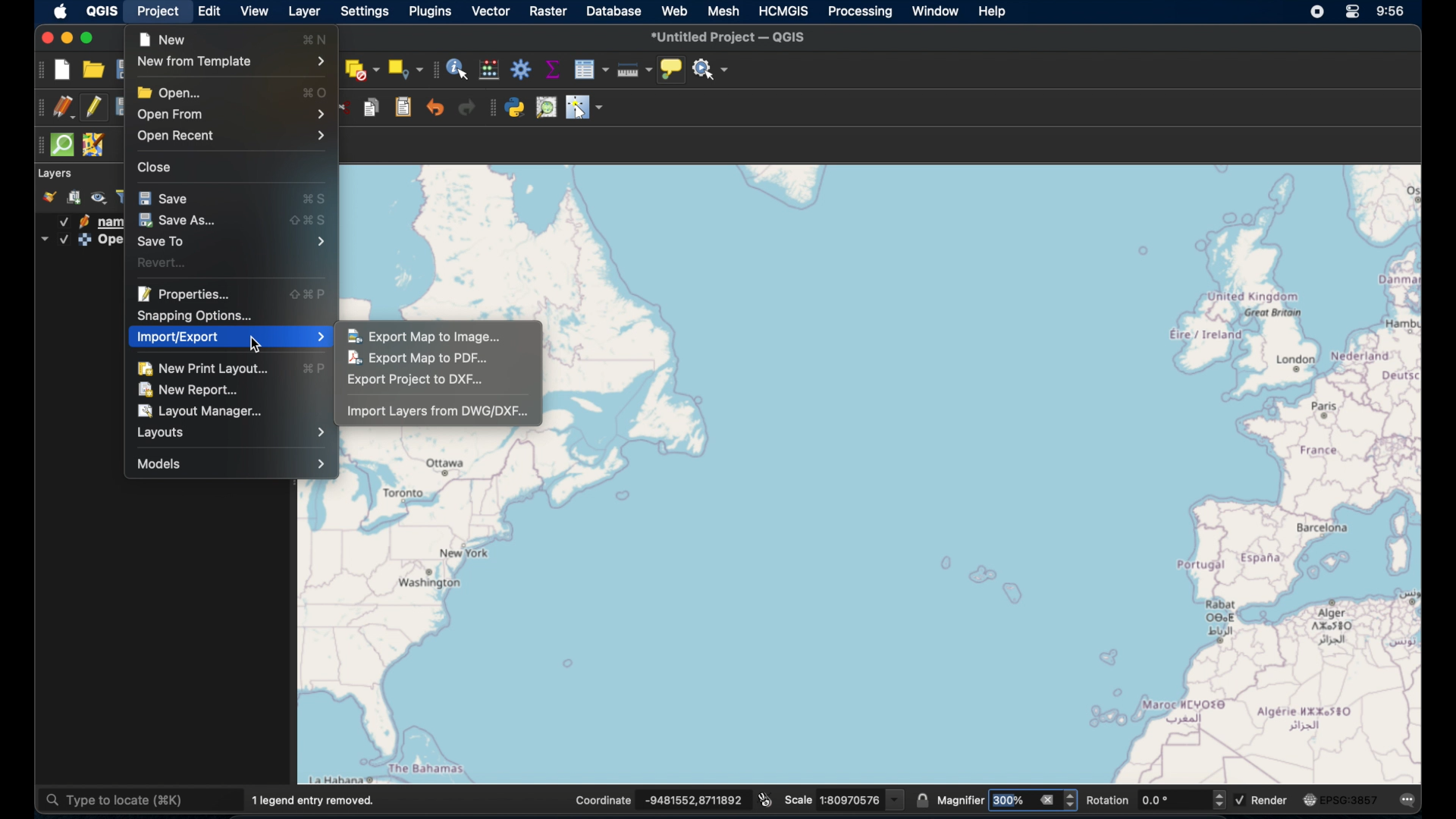  I want to click on save shortcut, so click(318, 200).